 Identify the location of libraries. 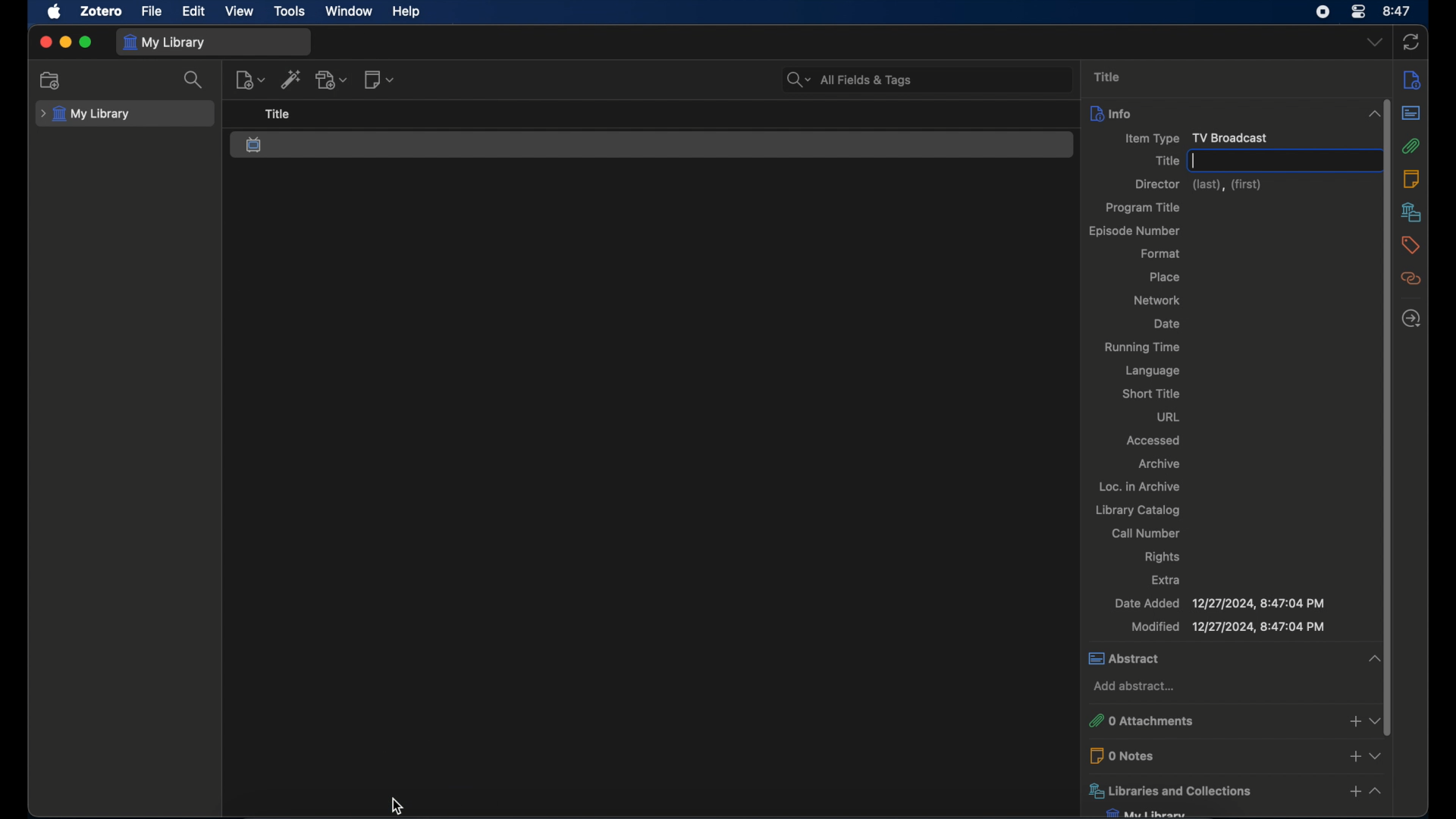
(1410, 212).